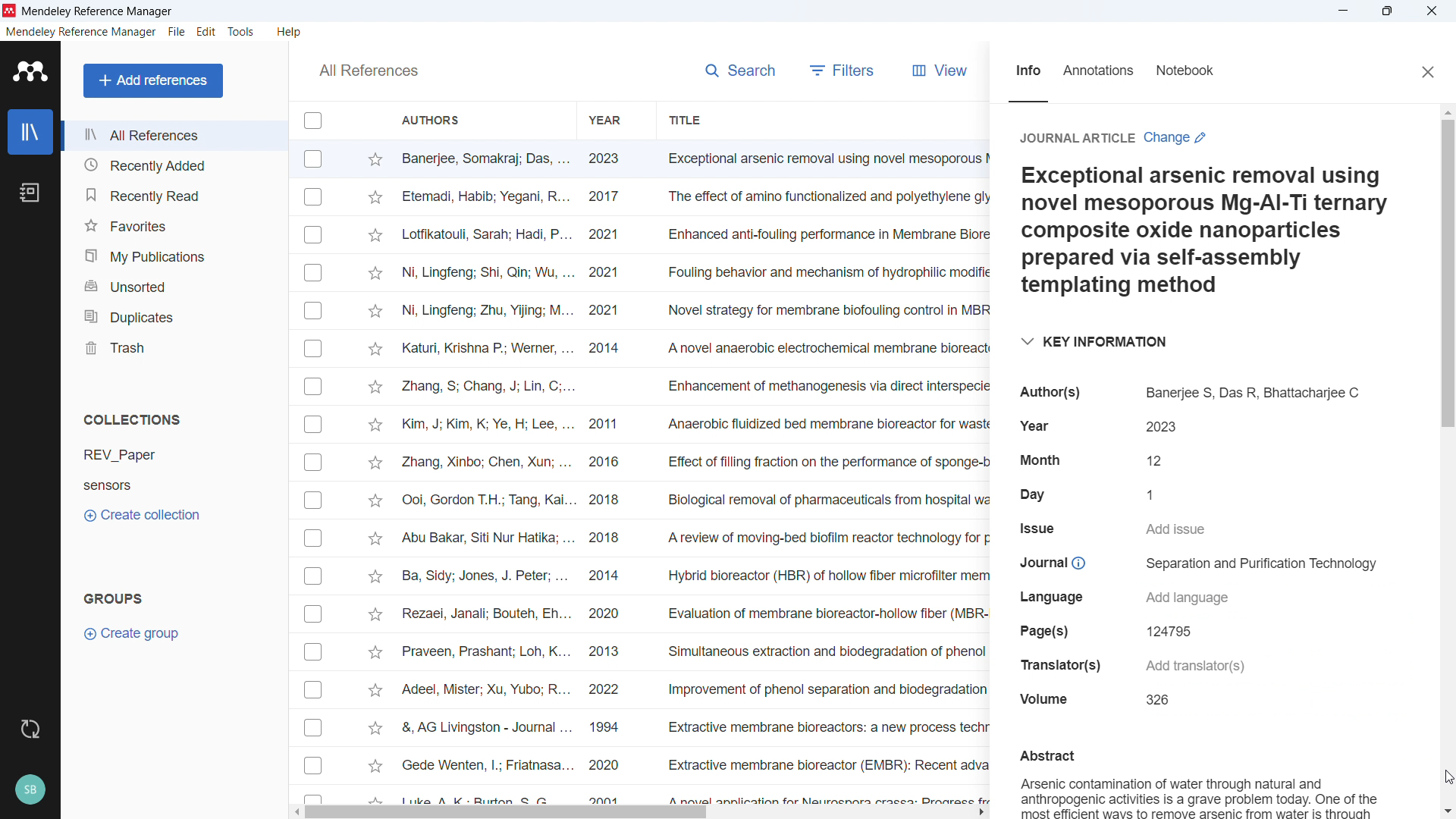  I want to click on recently read, so click(172, 196).